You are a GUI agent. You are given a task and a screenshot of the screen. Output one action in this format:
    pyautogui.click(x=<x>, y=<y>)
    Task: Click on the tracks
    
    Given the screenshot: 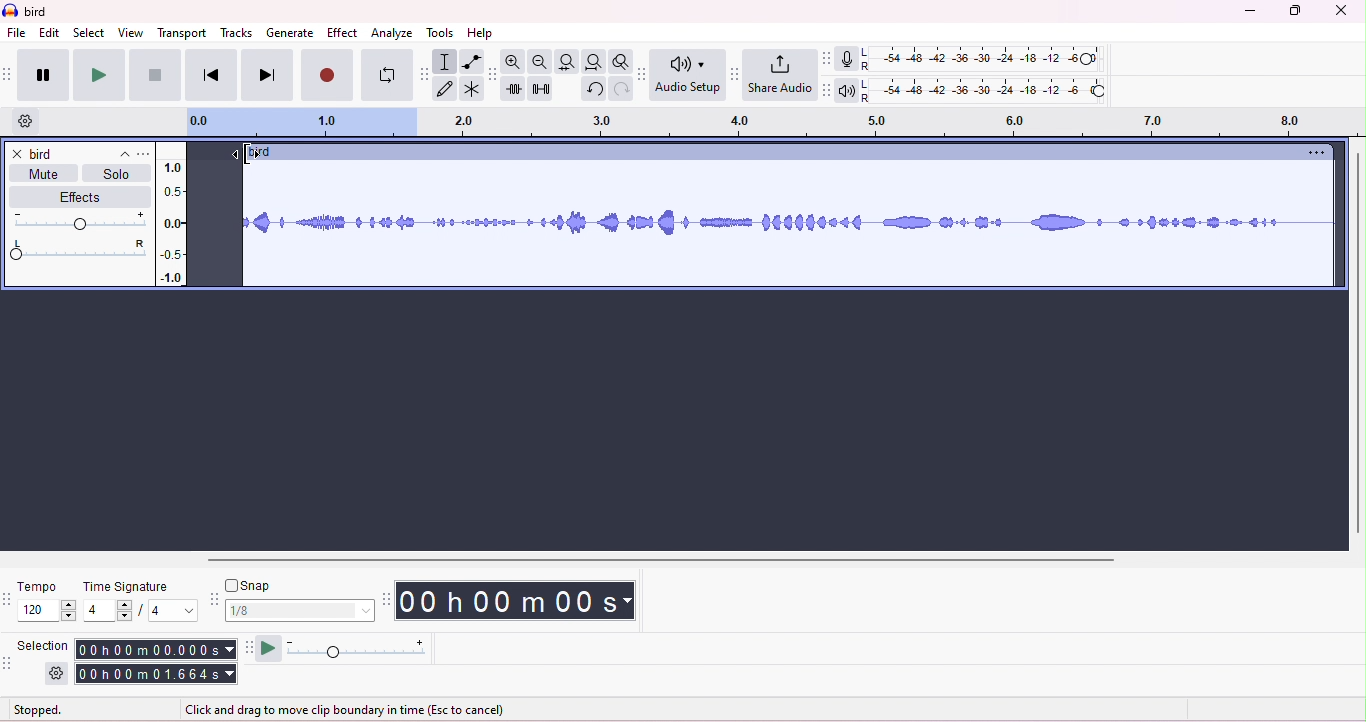 What is the action you would take?
    pyautogui.click(x=237, y=34)
    